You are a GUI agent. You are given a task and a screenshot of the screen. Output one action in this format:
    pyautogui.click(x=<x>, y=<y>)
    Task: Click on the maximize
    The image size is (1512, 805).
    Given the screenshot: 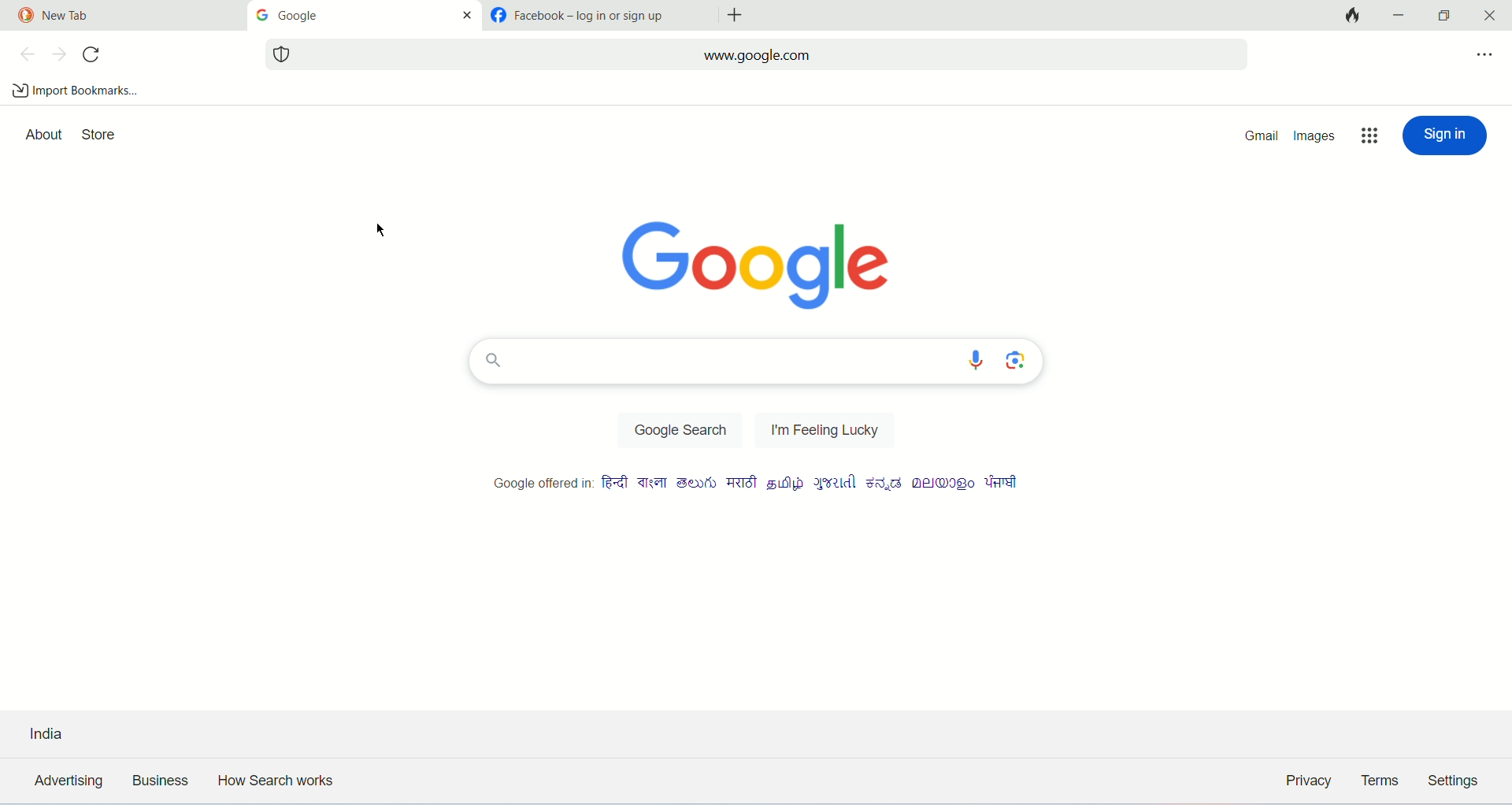 What is the action you would take?
    pyautogui.click(x=1443, y=17)
    